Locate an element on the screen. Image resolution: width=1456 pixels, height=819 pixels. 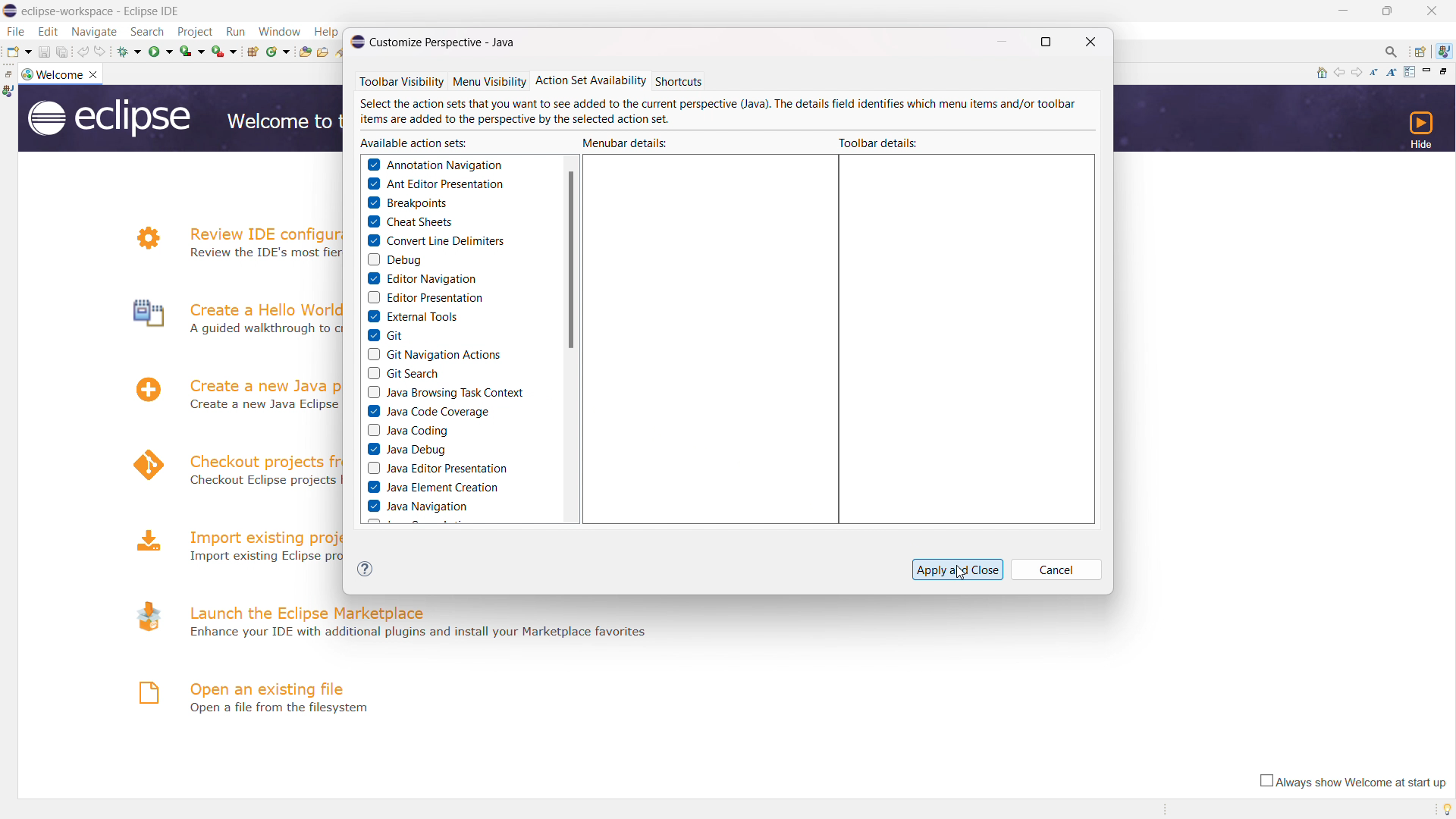
open type is located at coordinates (304, 52).